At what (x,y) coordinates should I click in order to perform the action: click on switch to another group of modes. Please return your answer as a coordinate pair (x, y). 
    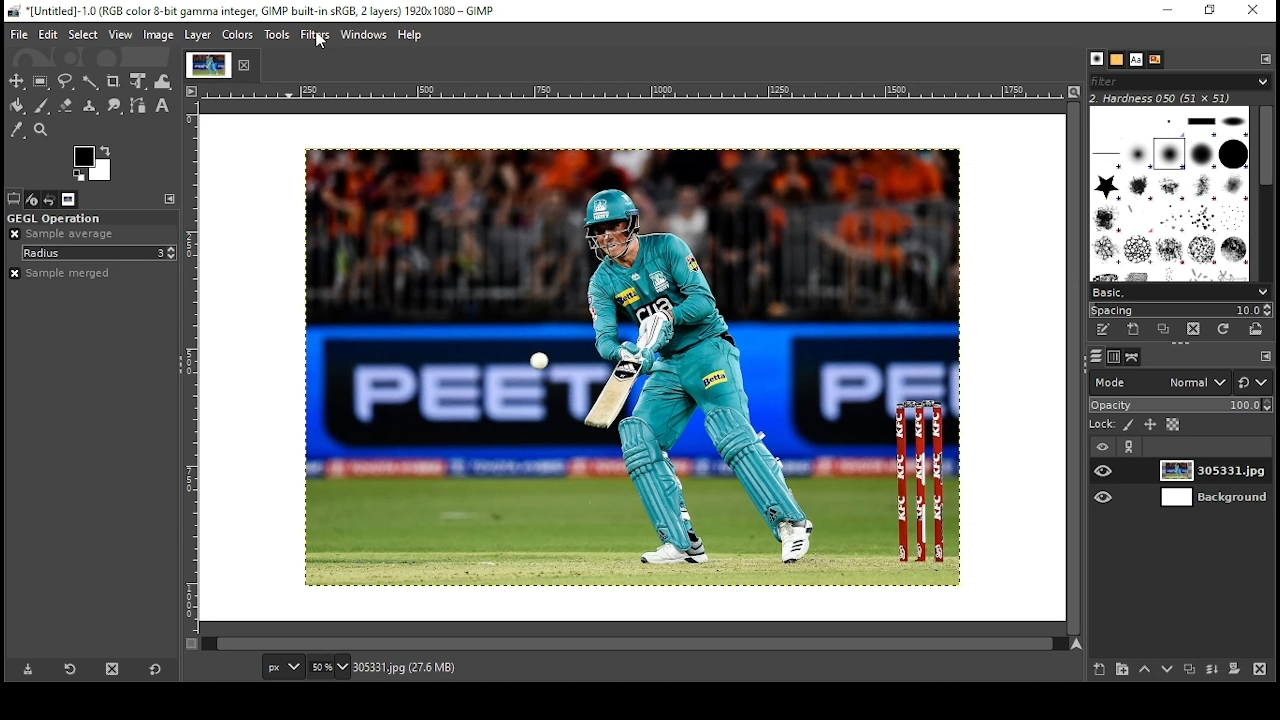
    Looking at the image, I should click on (1255, 382).